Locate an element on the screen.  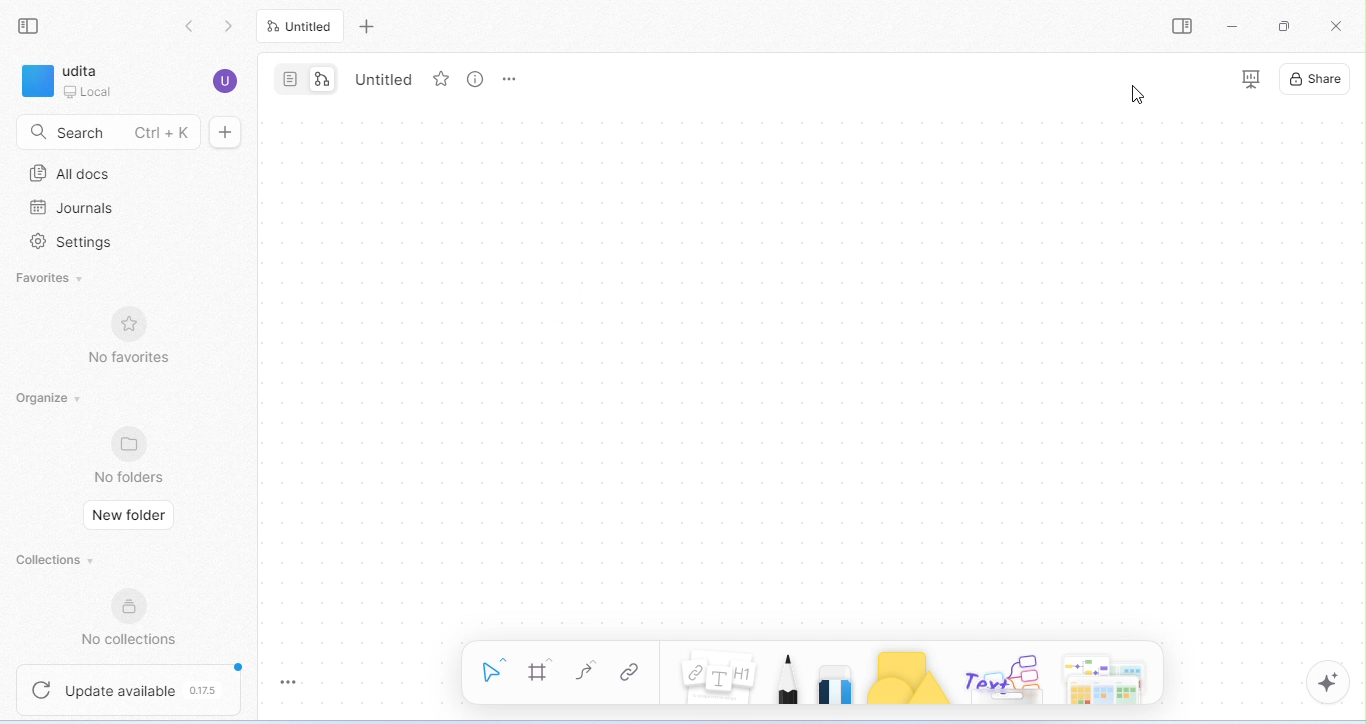
minimize is located at coordinates (1233, 25).